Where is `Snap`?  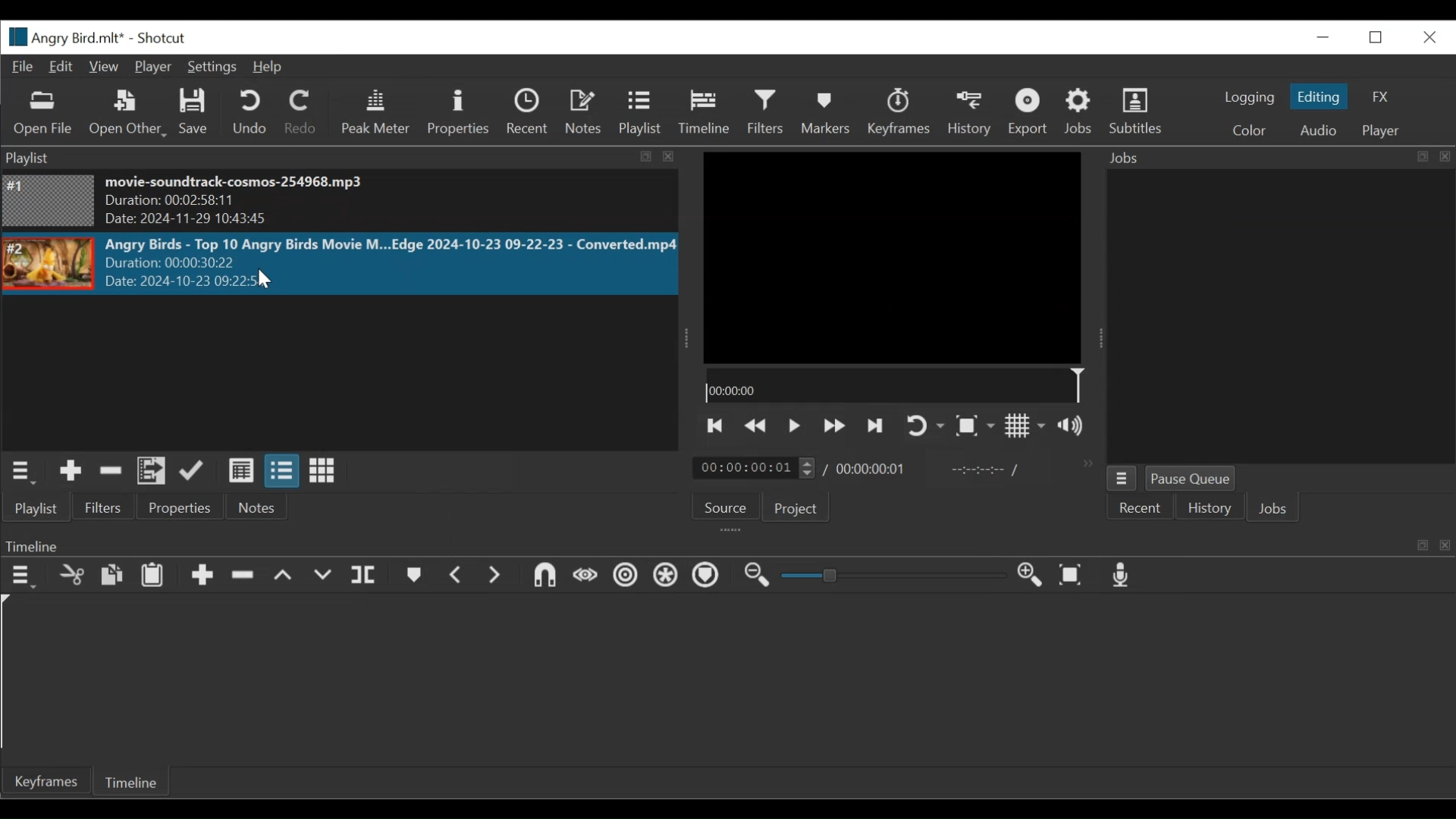 Snap is located at coordinates (542, 577).